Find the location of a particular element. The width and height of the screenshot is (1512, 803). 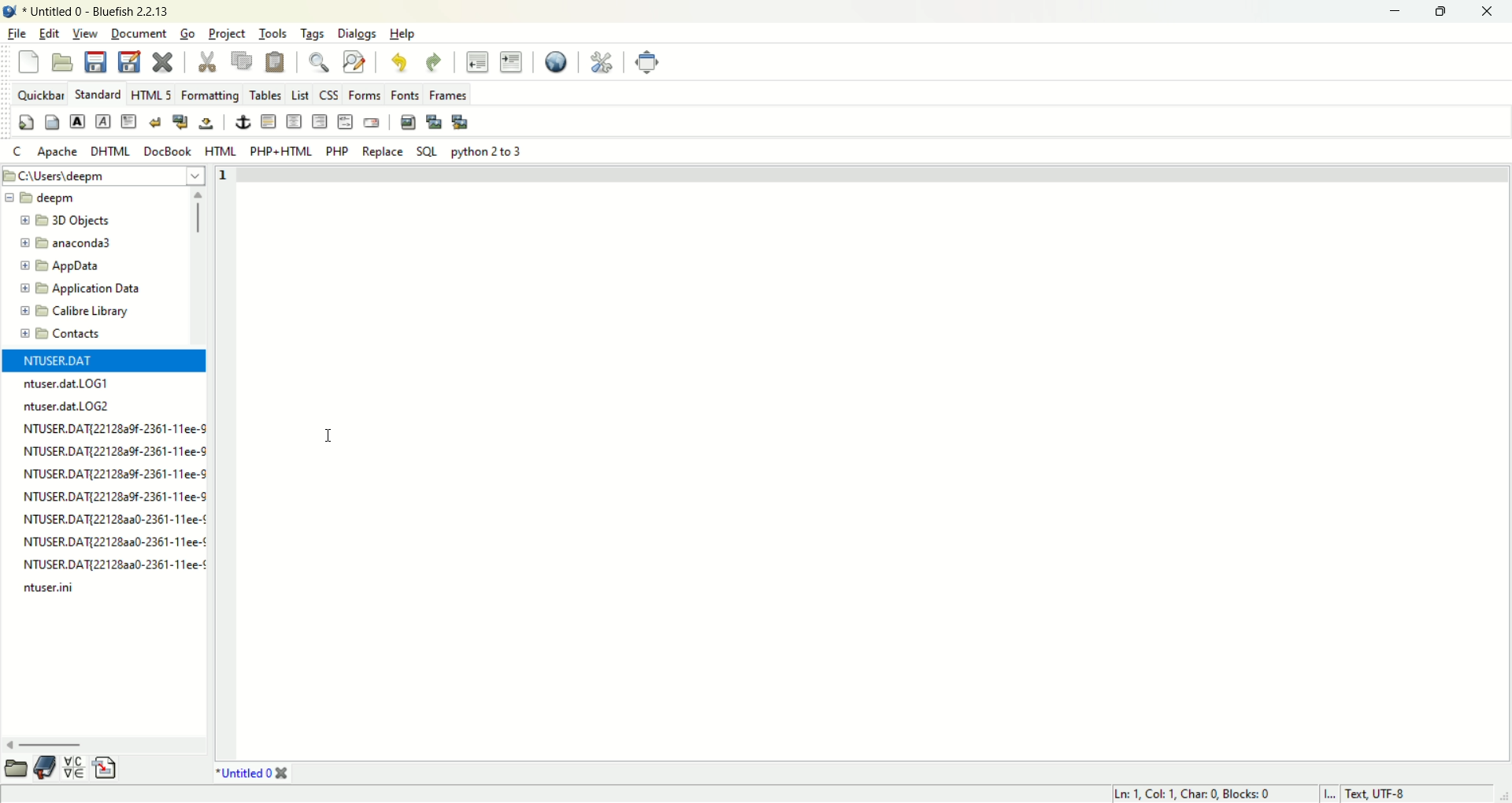

NTUSER.DATI22128aa30-2361-11ee-¢ is located at coordinates (114, 539).